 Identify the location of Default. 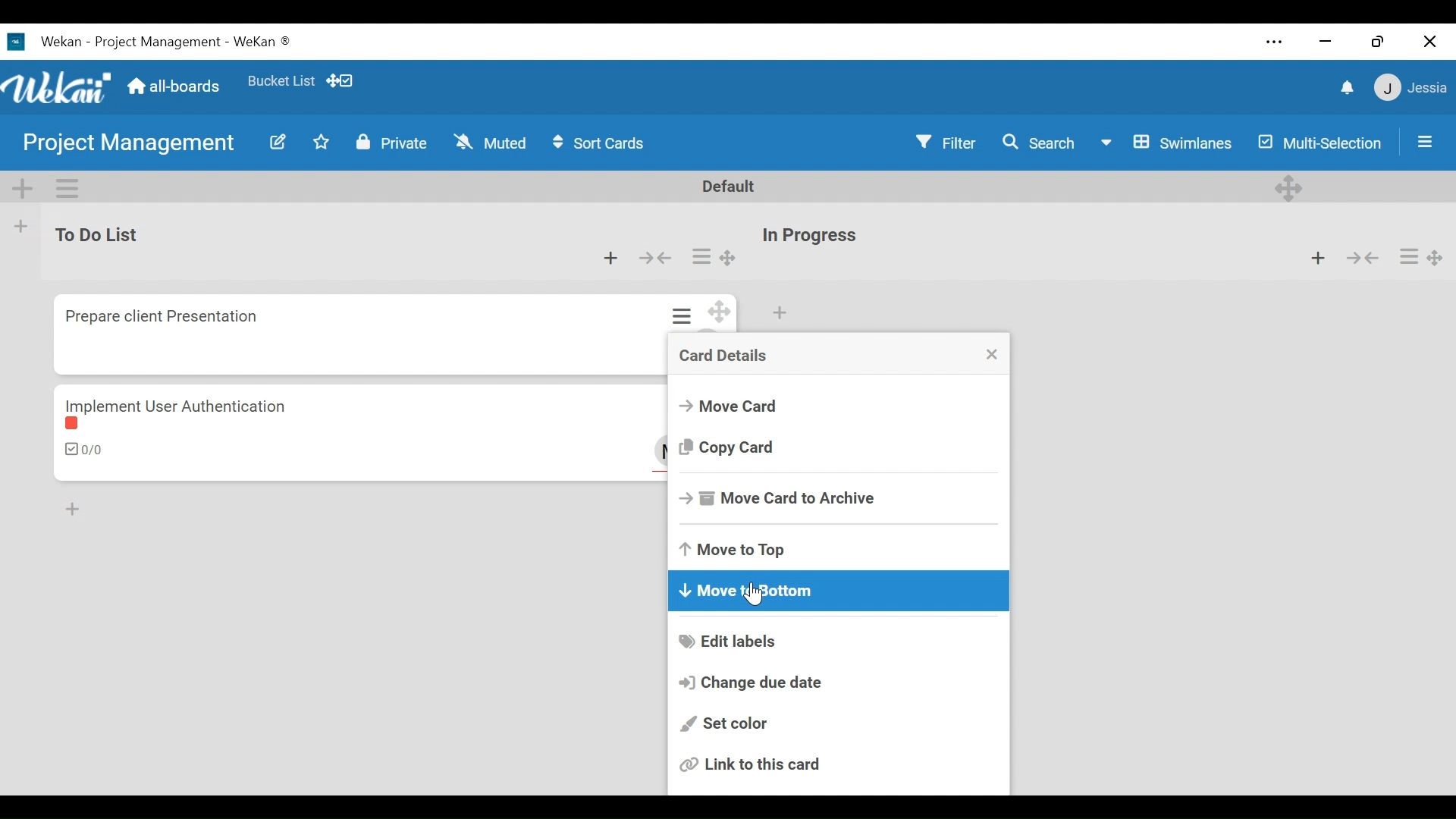
(730, 186).